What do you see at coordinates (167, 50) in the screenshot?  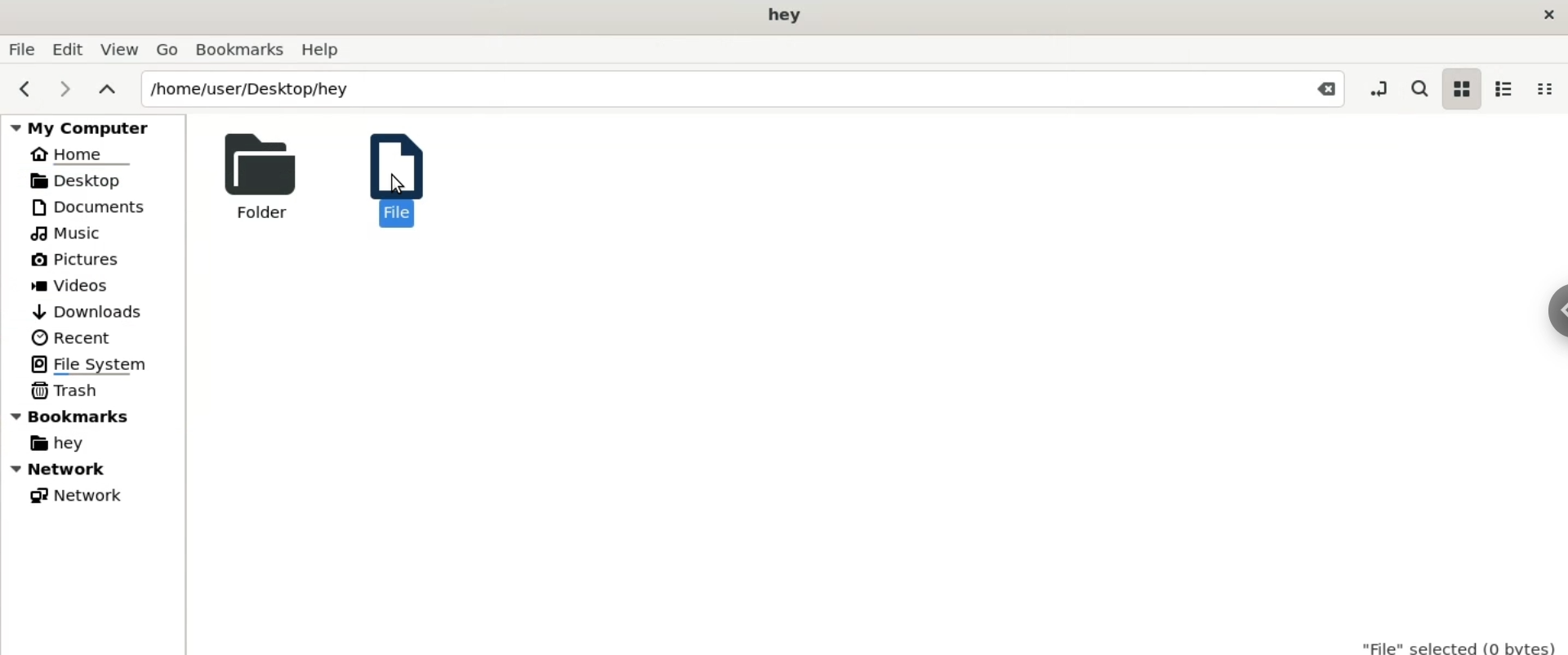 I see `go` at bounding box center [167, 50].